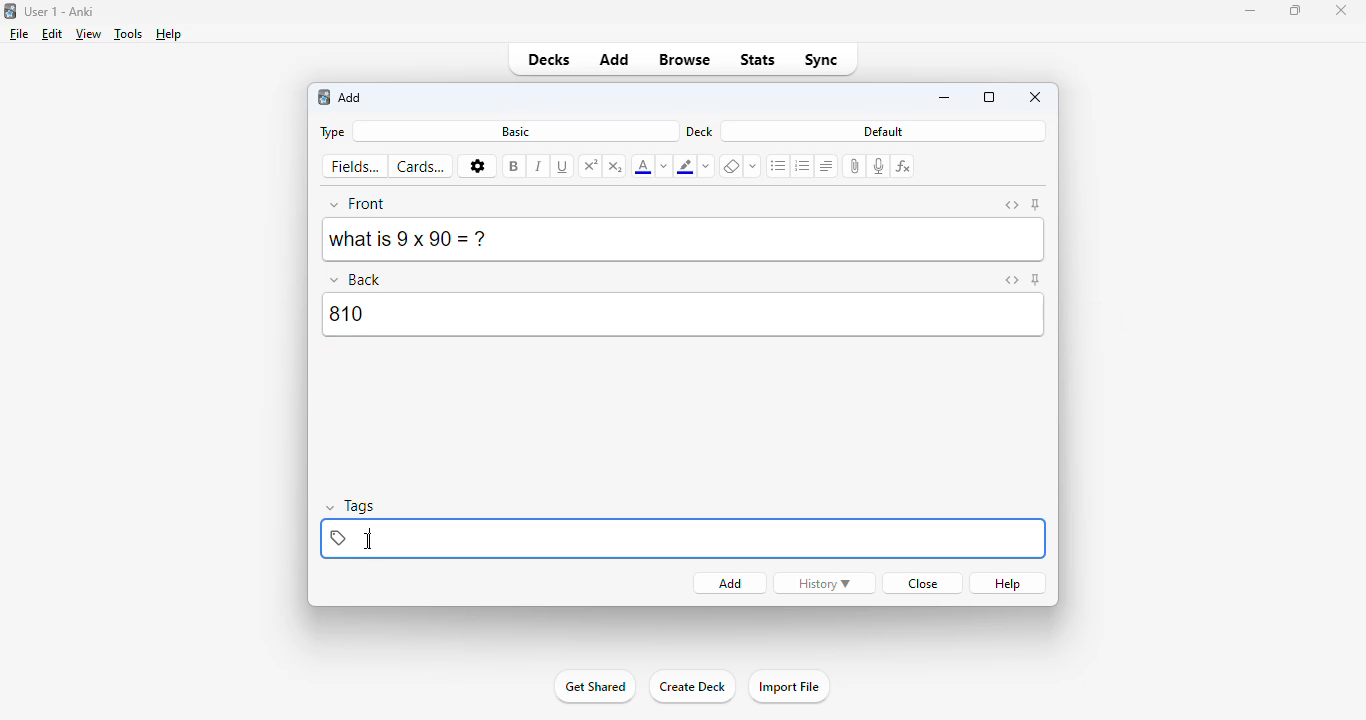 The width and height of the screenshot is (1366, 720). Describe the element at coordinates (826, 166) in the screenshot. I see `alignment` at that location.